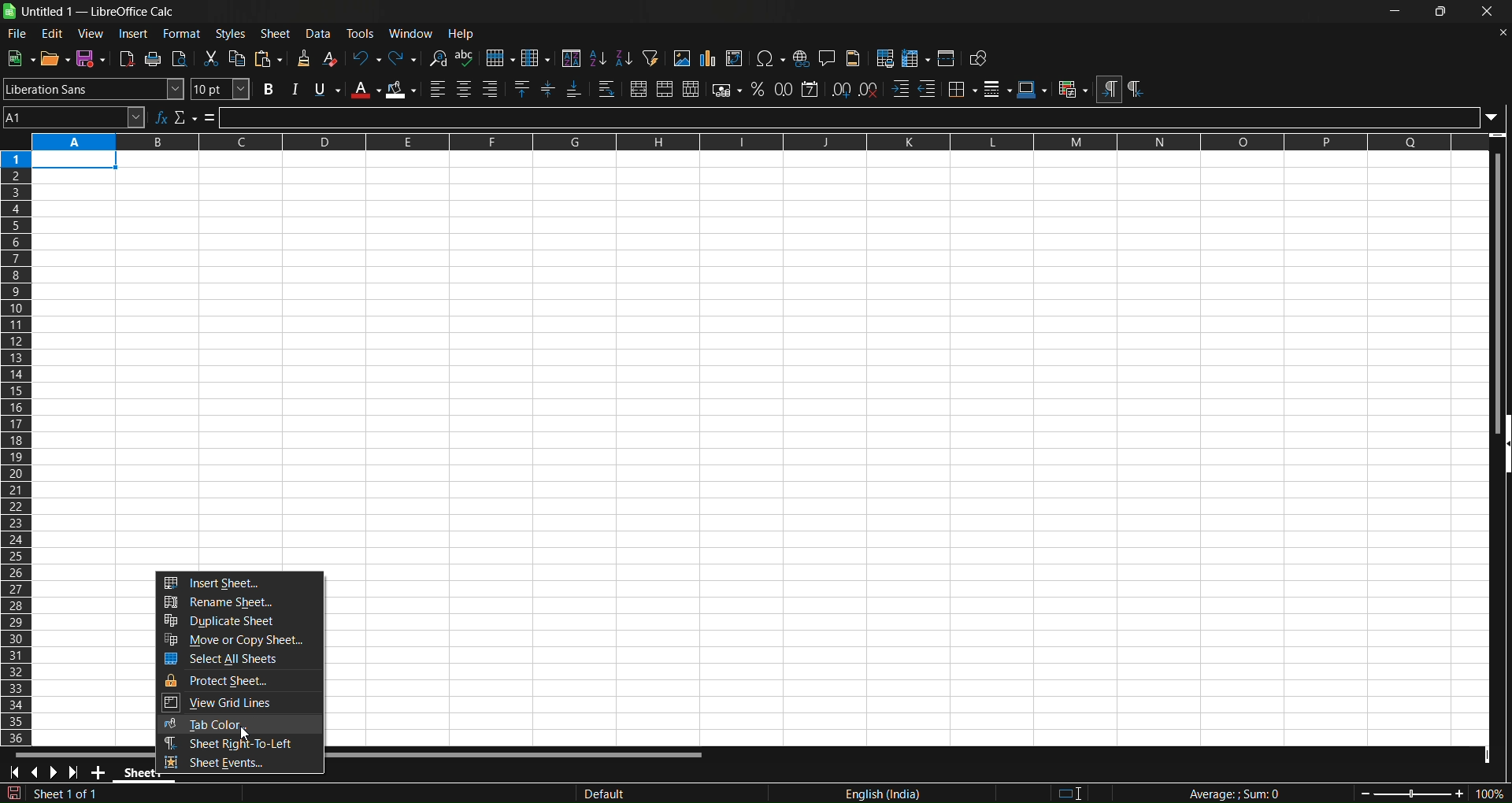  Describe the element at coordinates (624, 60) in the screenshot. I see `sort descending` at that location.